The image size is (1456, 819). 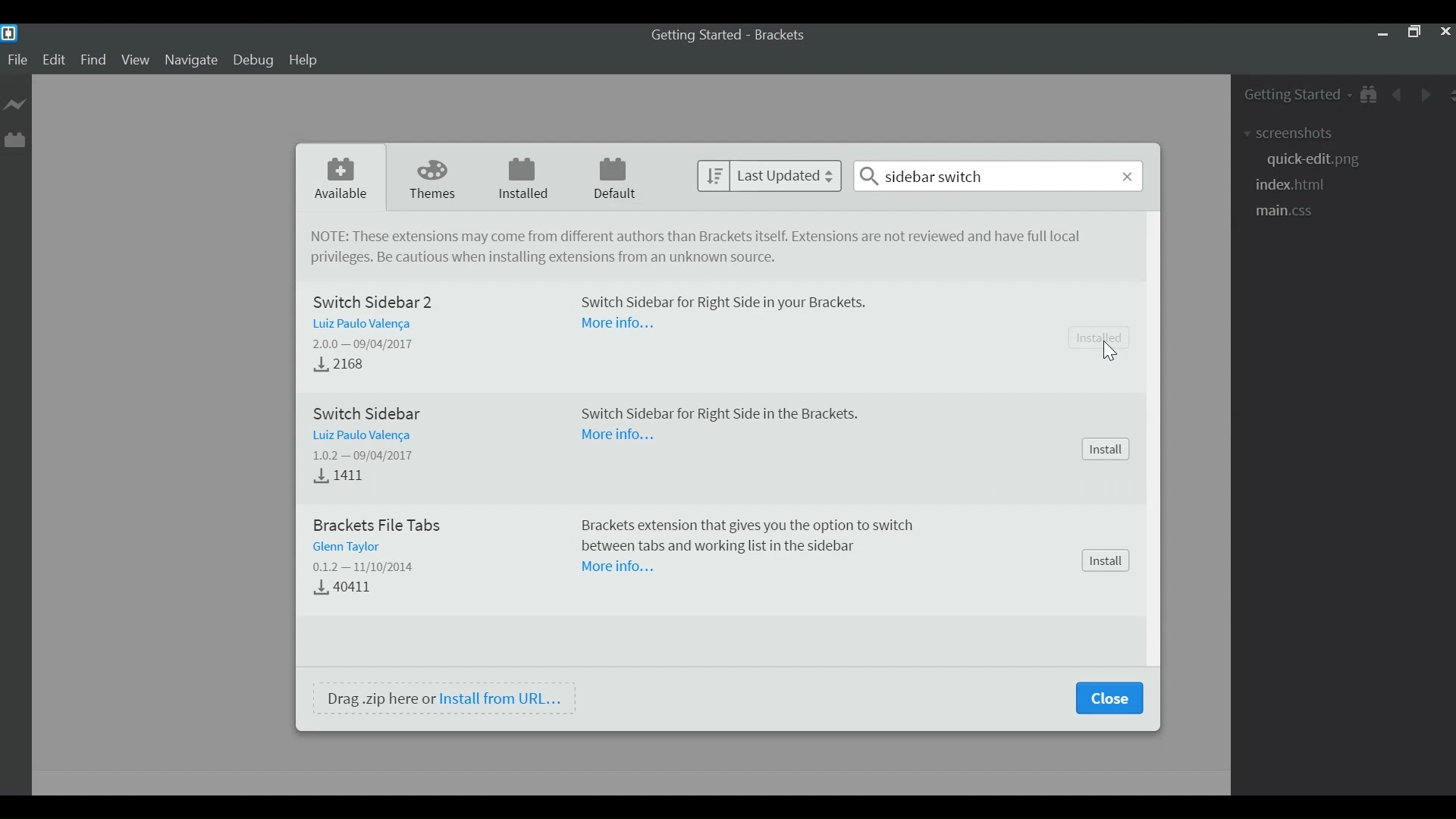 What do you see at coordinates (193, 61) in the screenshot?
I see `Navigate` at bounding box center [193, 61].